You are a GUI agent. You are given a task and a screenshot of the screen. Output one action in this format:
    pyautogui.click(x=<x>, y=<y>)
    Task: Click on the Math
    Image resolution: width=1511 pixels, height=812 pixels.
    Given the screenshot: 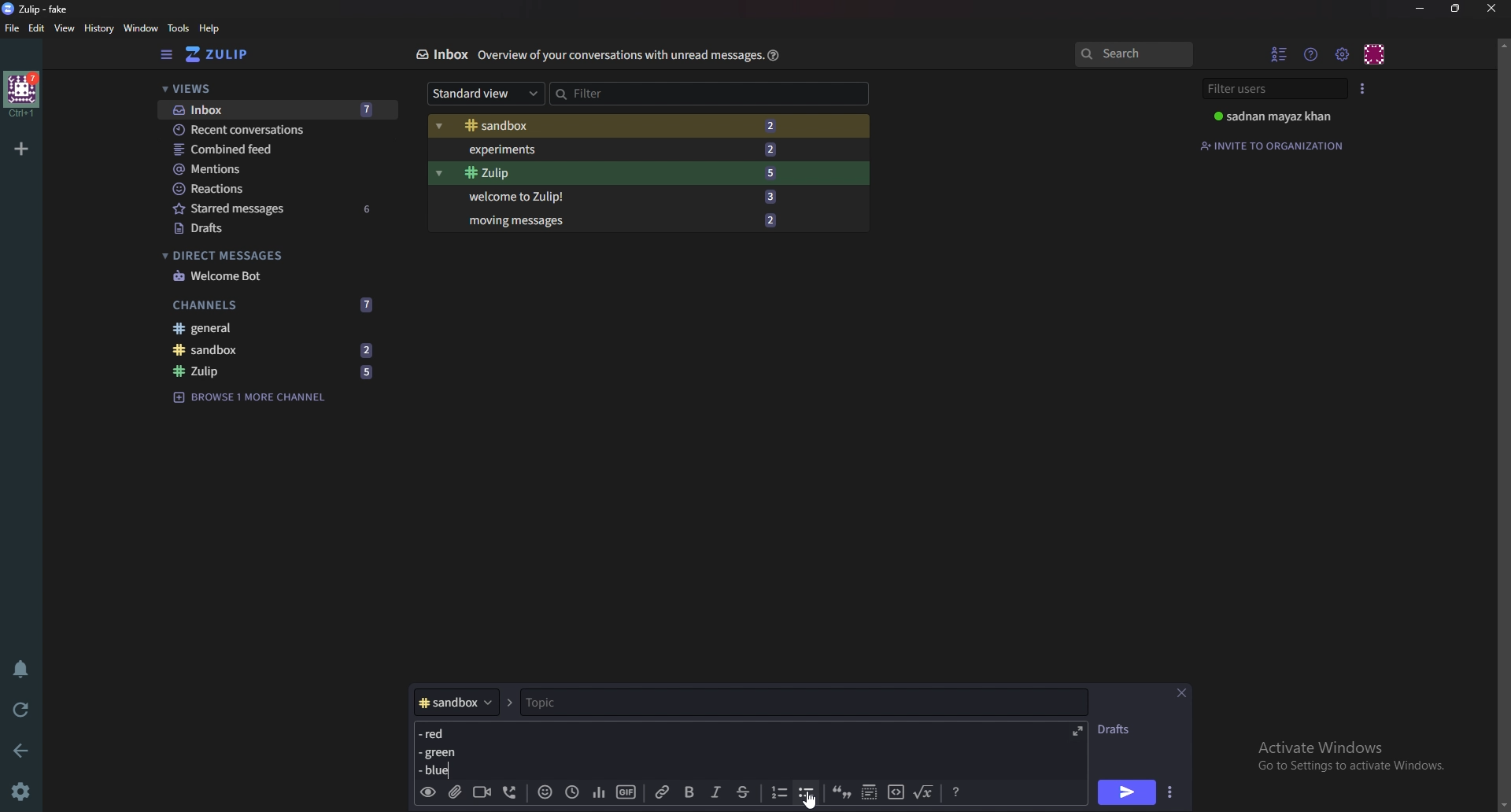 What is the action you would take?
    pyautogui.click(x=925, y=790)
    